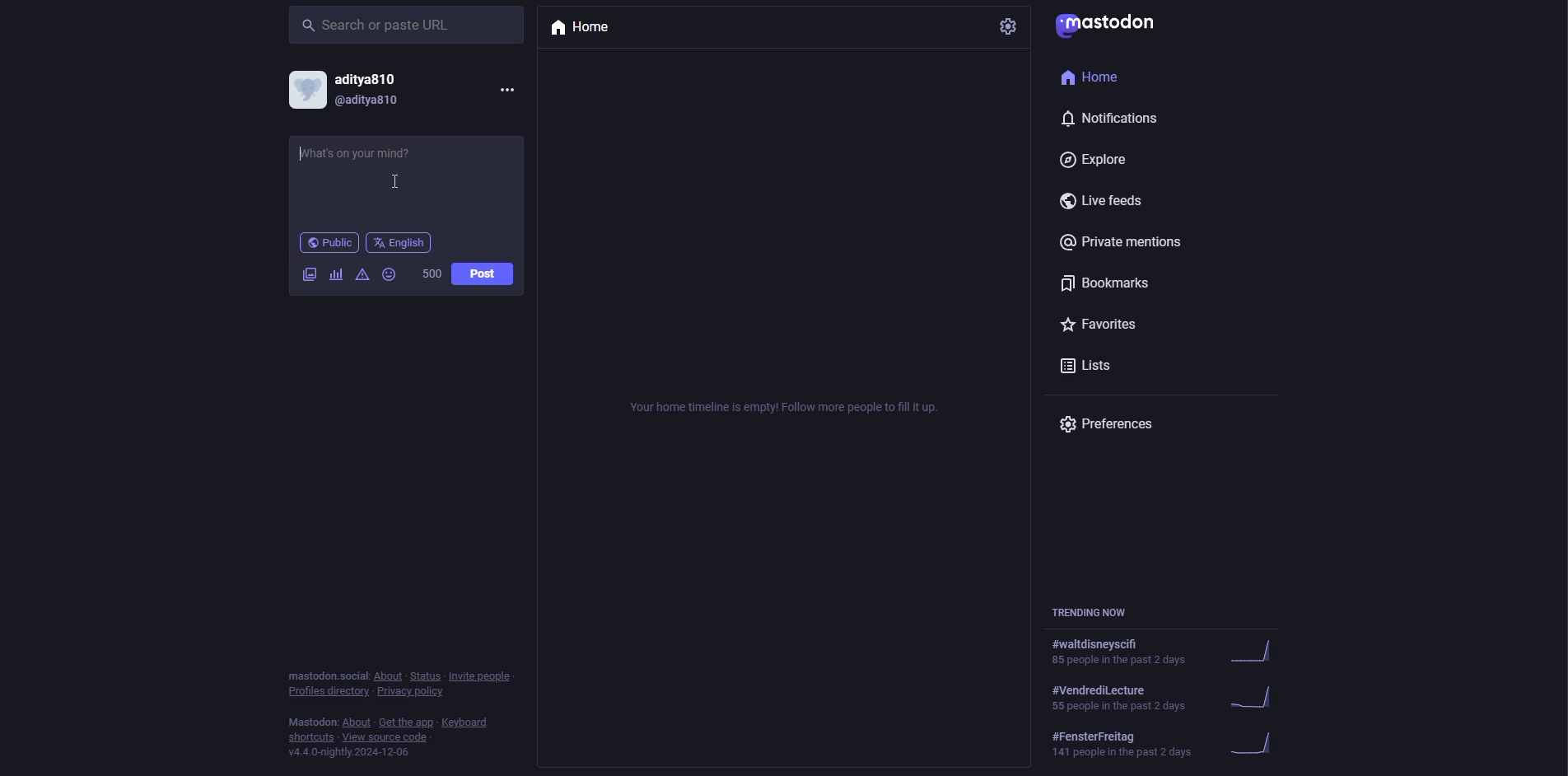  I want to click on cursor, so click(393, 182).